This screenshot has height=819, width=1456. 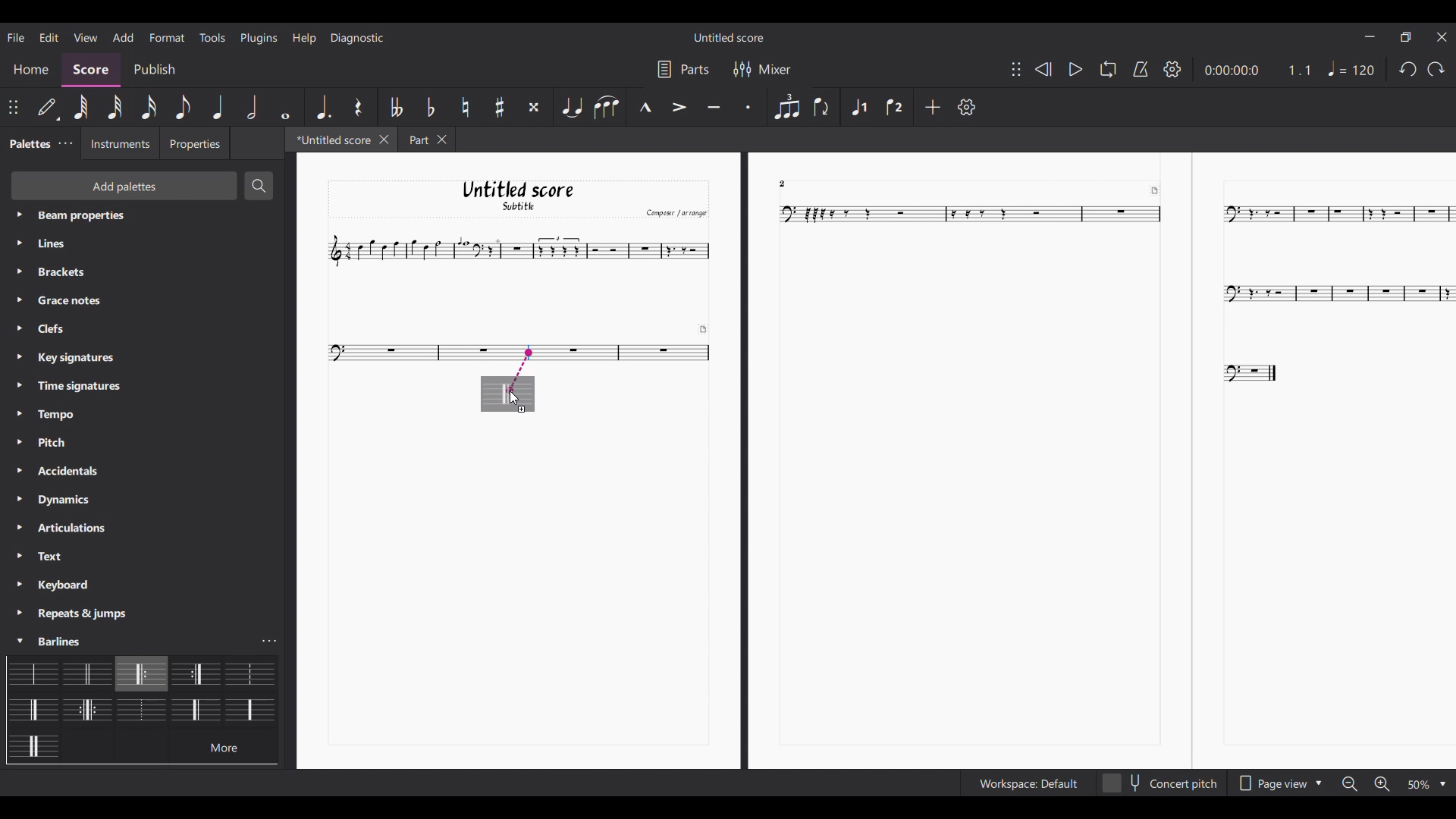 I want to click on Rewind, so click(x=1043, y=70).